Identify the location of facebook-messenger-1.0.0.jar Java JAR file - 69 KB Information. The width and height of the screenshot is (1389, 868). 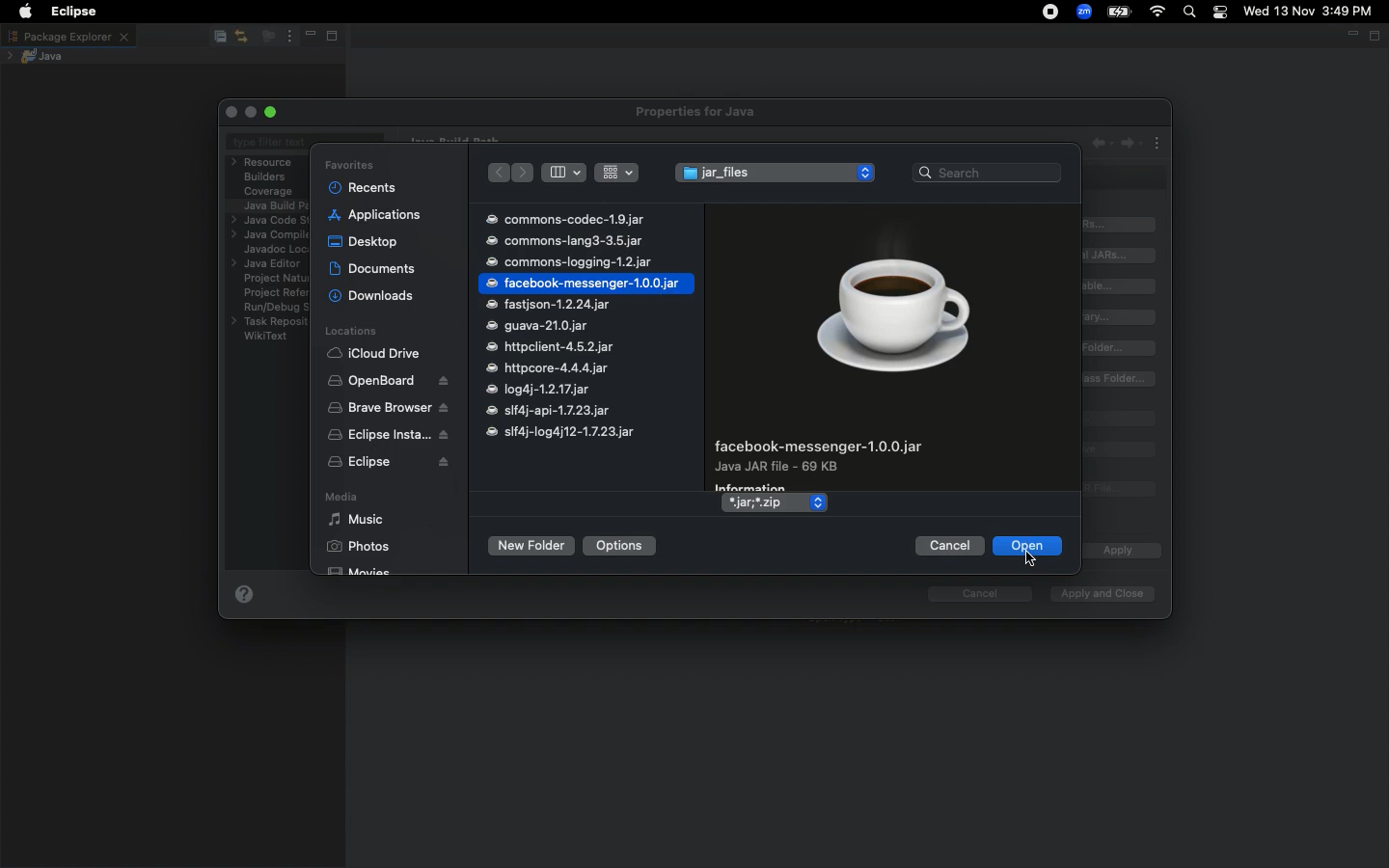
(817, 461).